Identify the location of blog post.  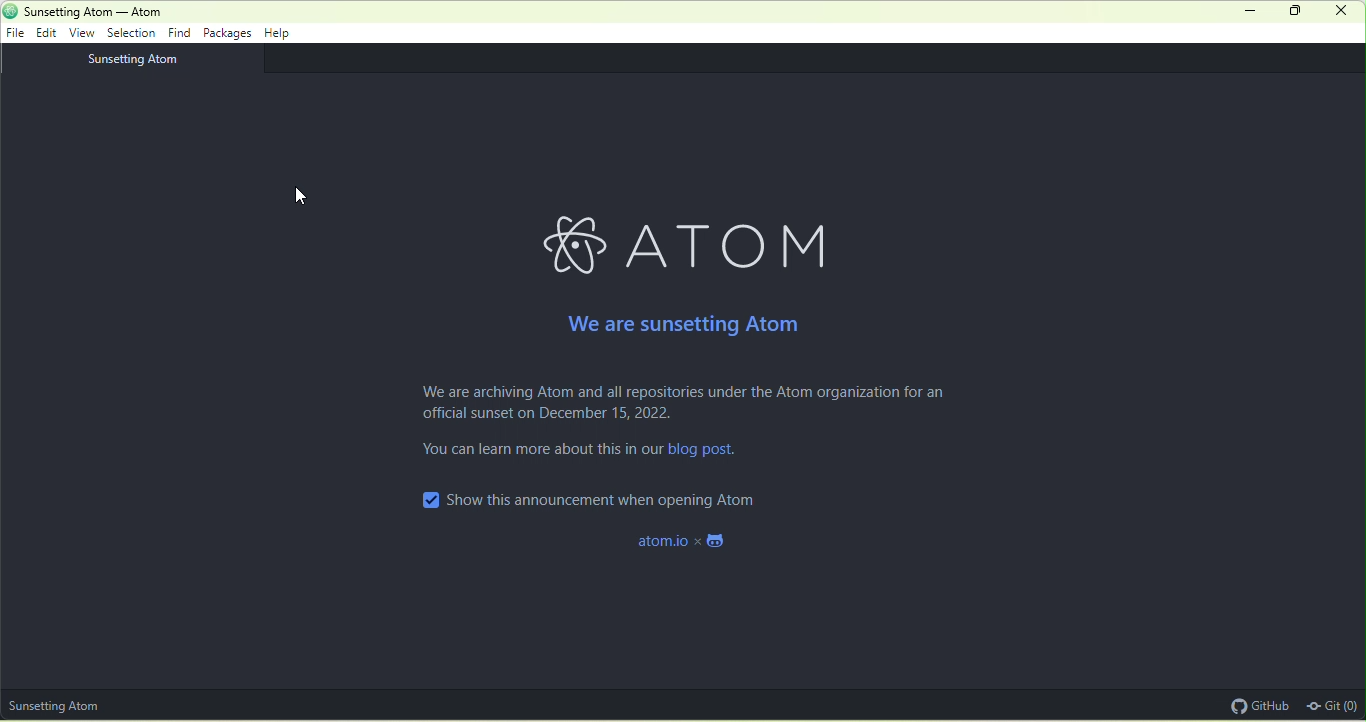
(703, 455).